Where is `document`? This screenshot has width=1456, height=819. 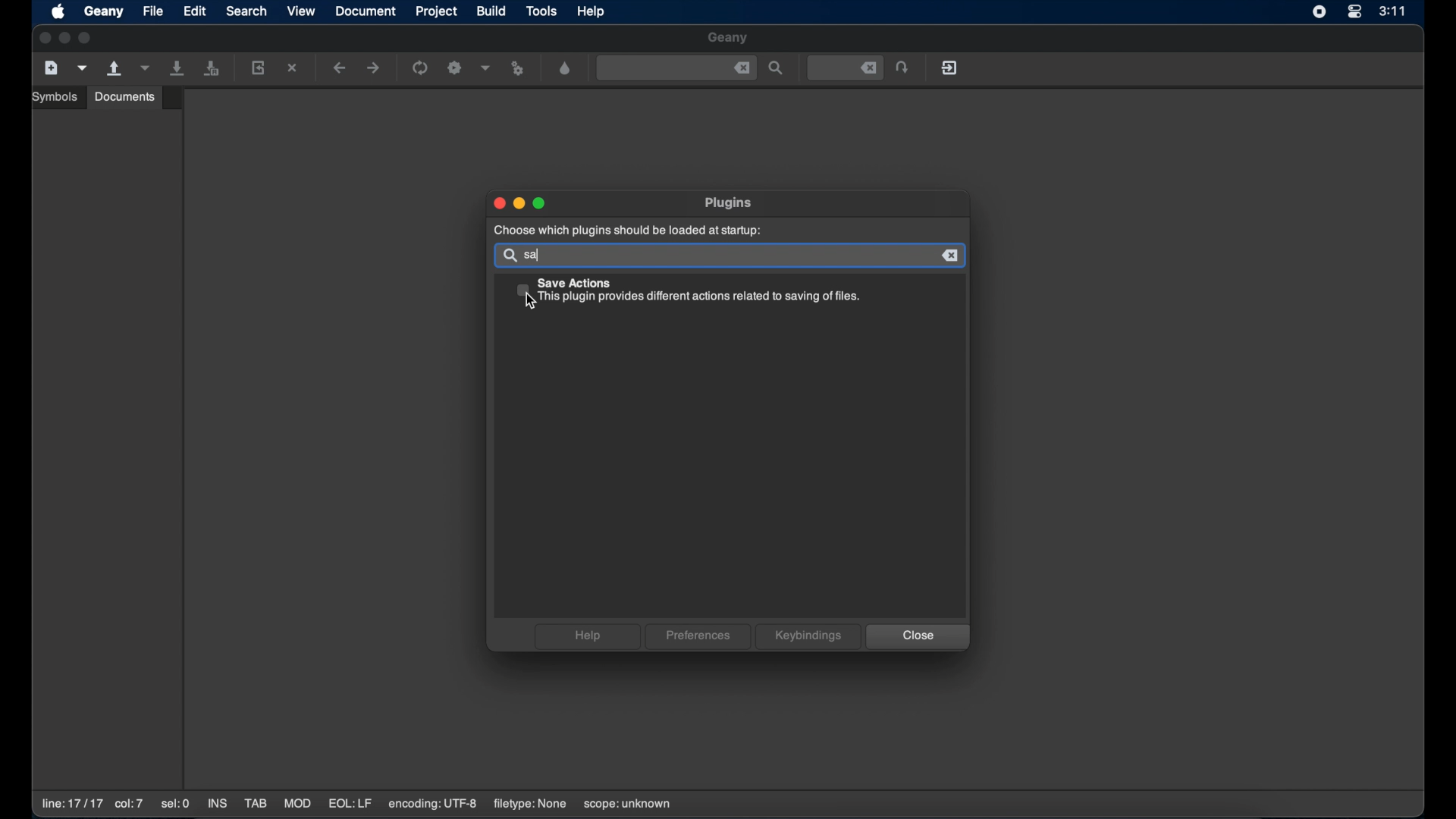
document is located at coordinates (366, 11).